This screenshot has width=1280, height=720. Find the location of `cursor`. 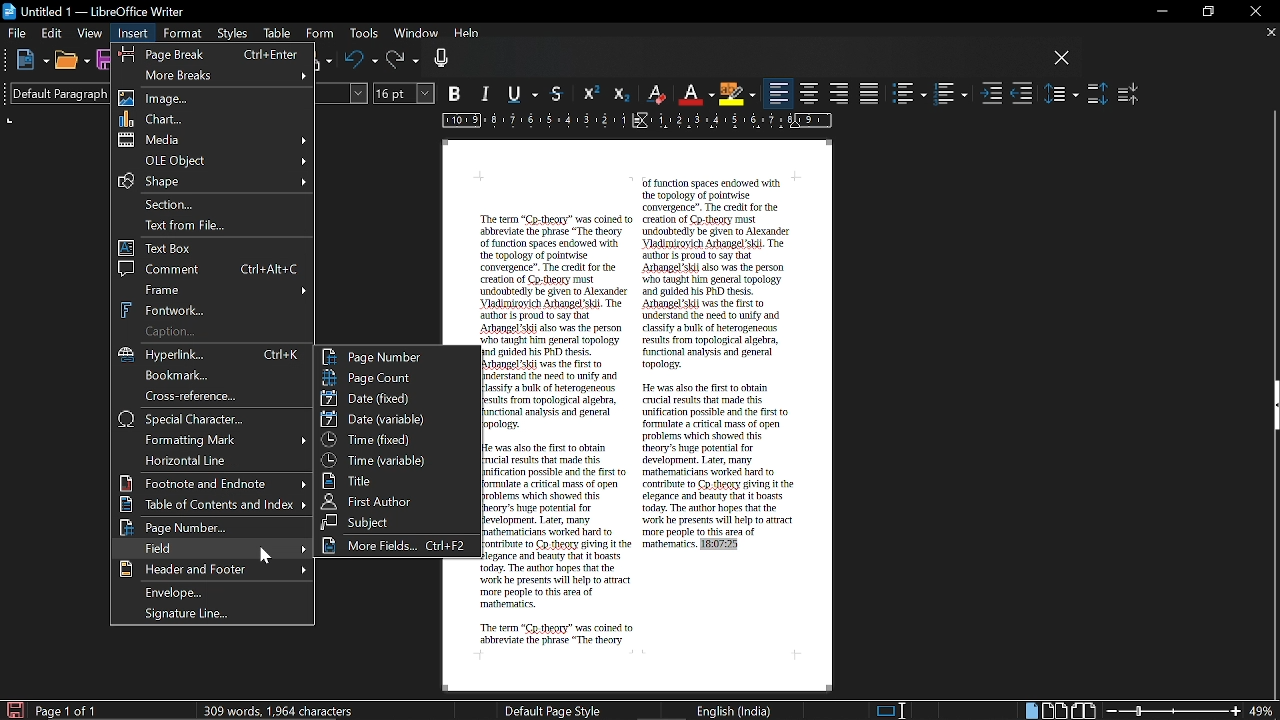

cursor is located at coordinates (266, 553).